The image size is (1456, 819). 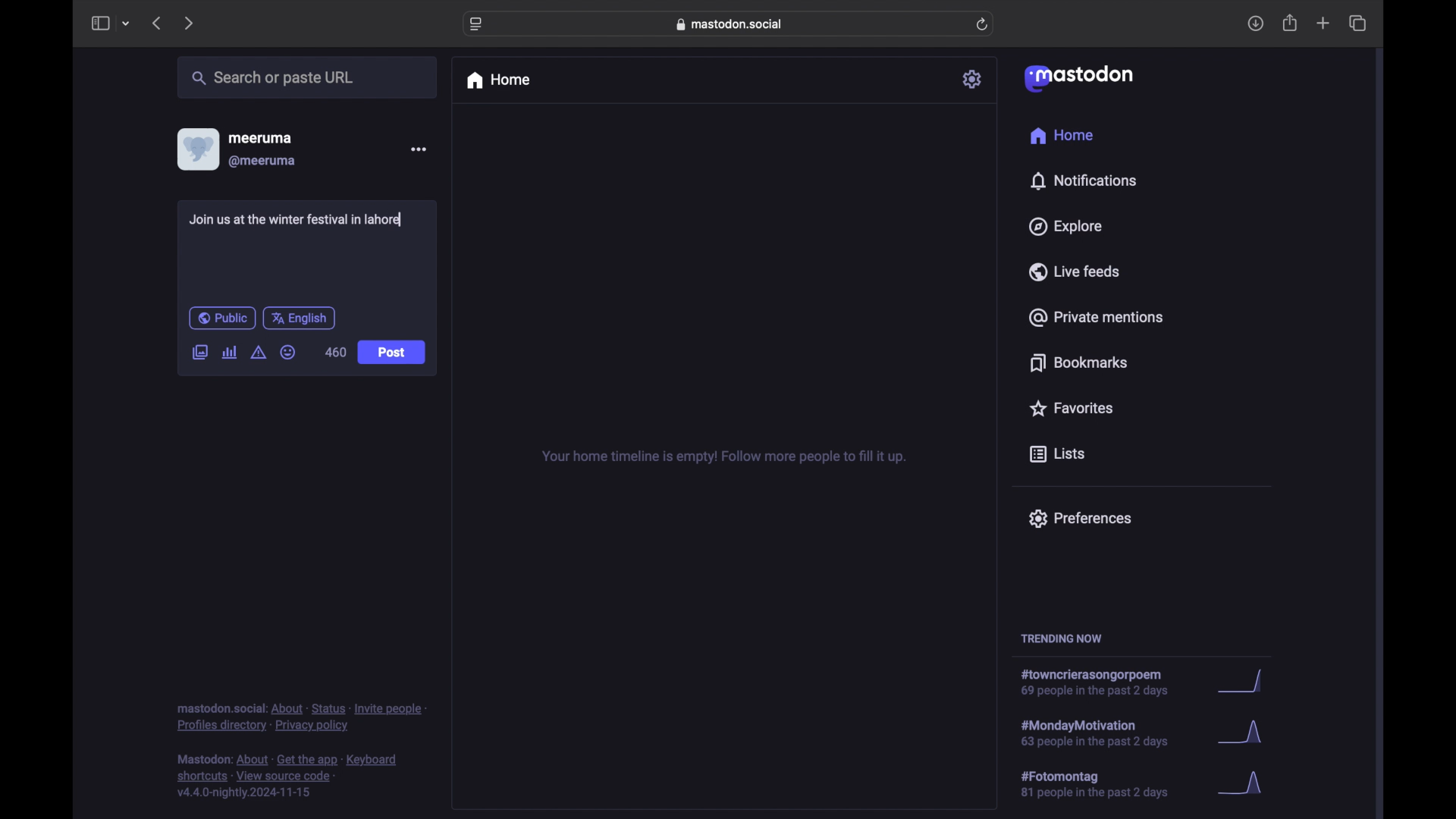 What do you see at coordinates (1070, 408) in the screenshot?
I see `favorites` at bounding box center [1070, 408].